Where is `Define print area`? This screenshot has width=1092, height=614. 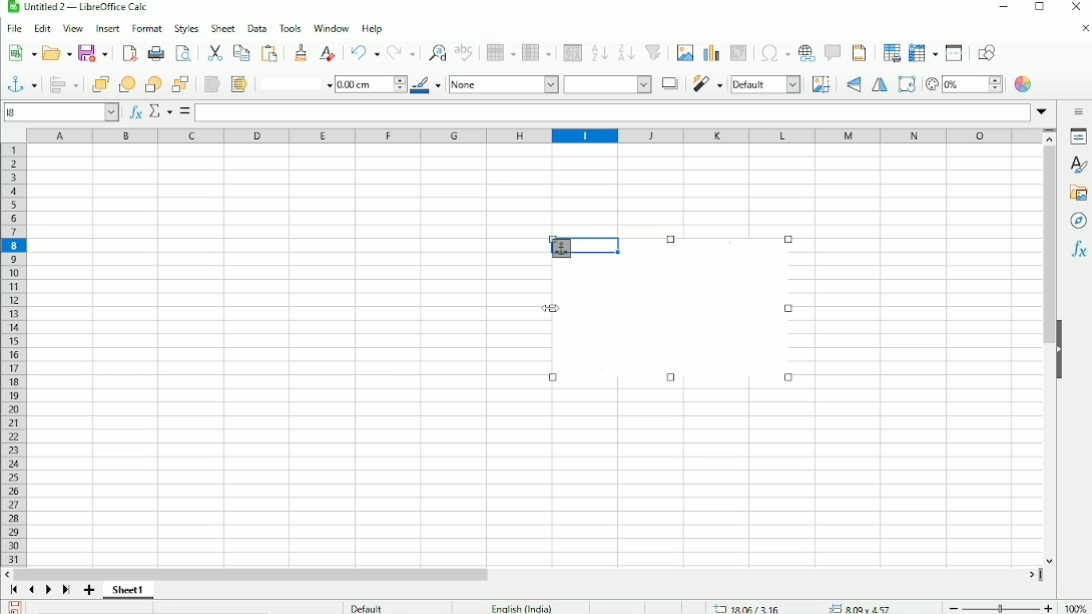 Define print area is located at coordinates (888, 53).